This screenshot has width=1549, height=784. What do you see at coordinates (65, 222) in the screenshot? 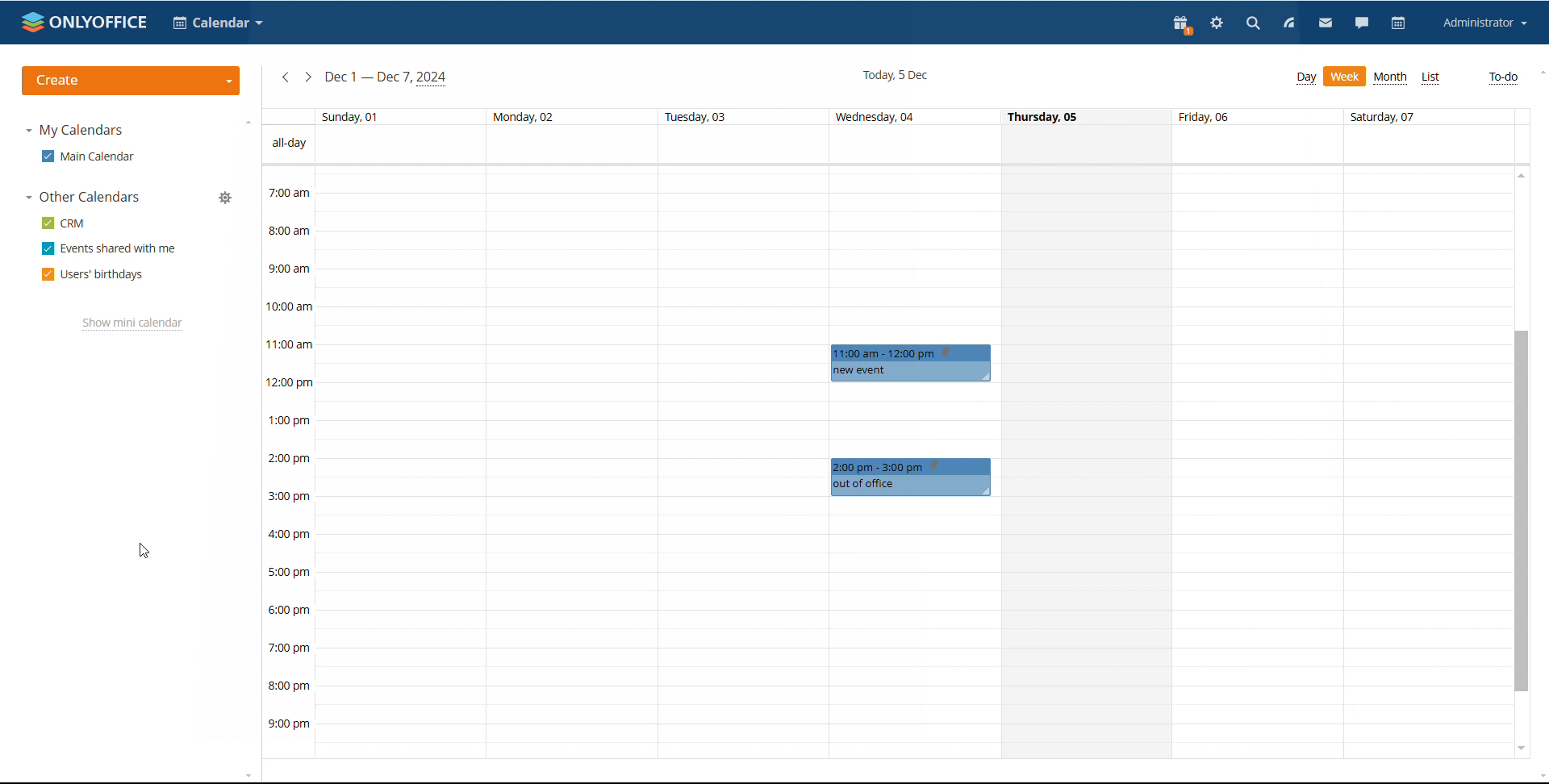
I see `crm` at bounding box center [65, 222].